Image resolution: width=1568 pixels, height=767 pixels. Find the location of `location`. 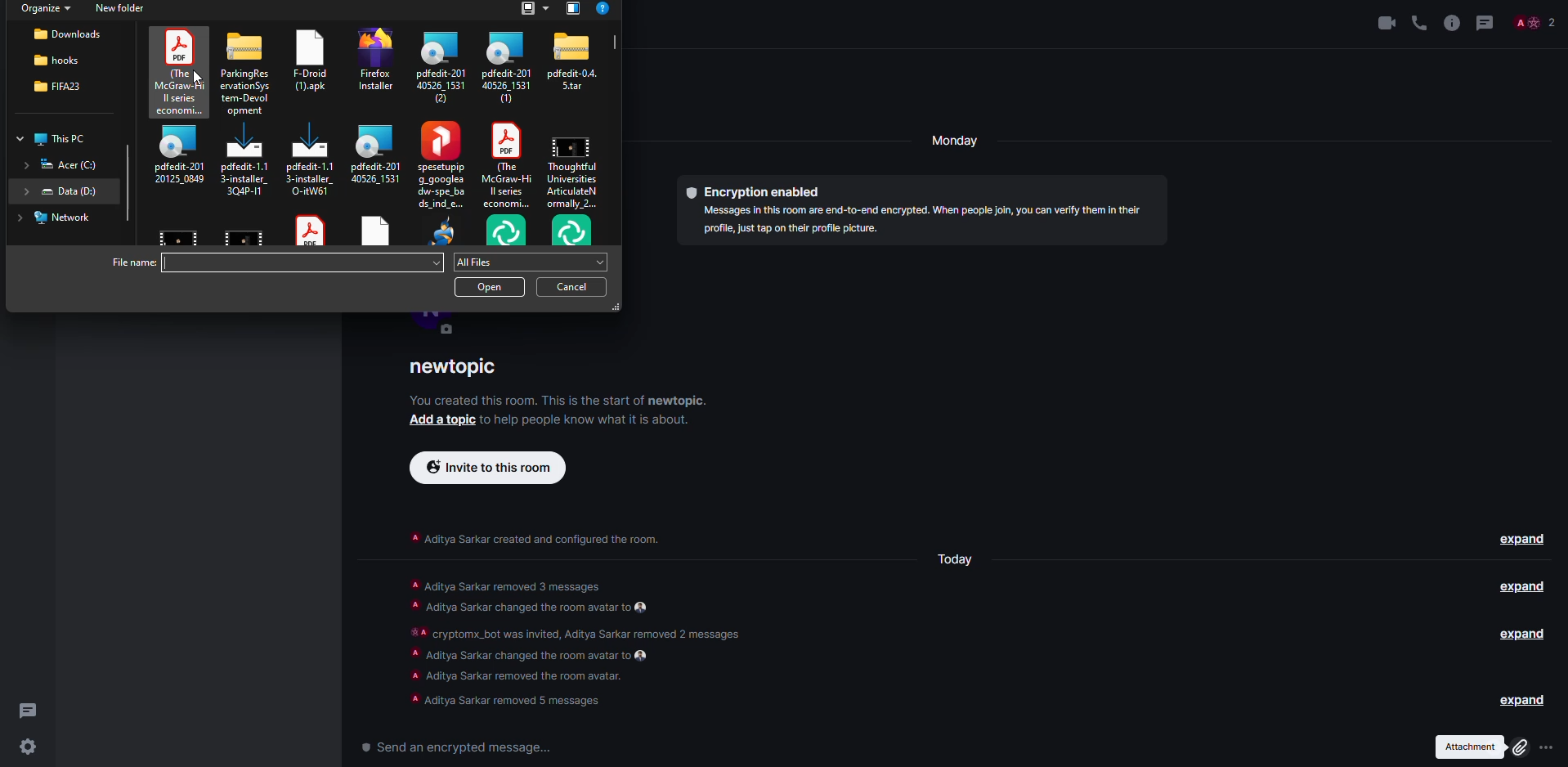

location is located at coordinates (63, 192).